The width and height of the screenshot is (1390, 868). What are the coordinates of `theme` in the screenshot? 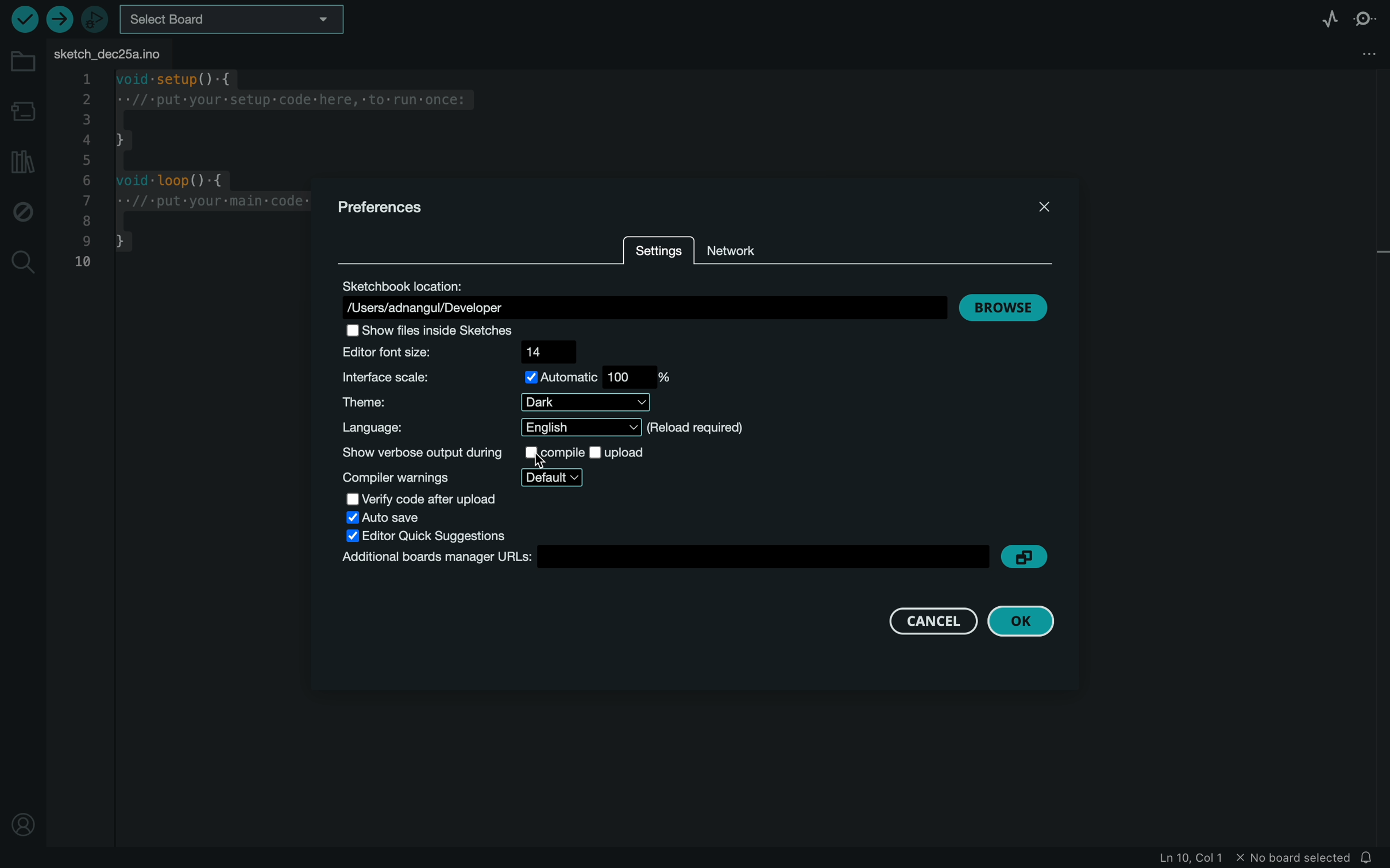 It's located at (498, 402).